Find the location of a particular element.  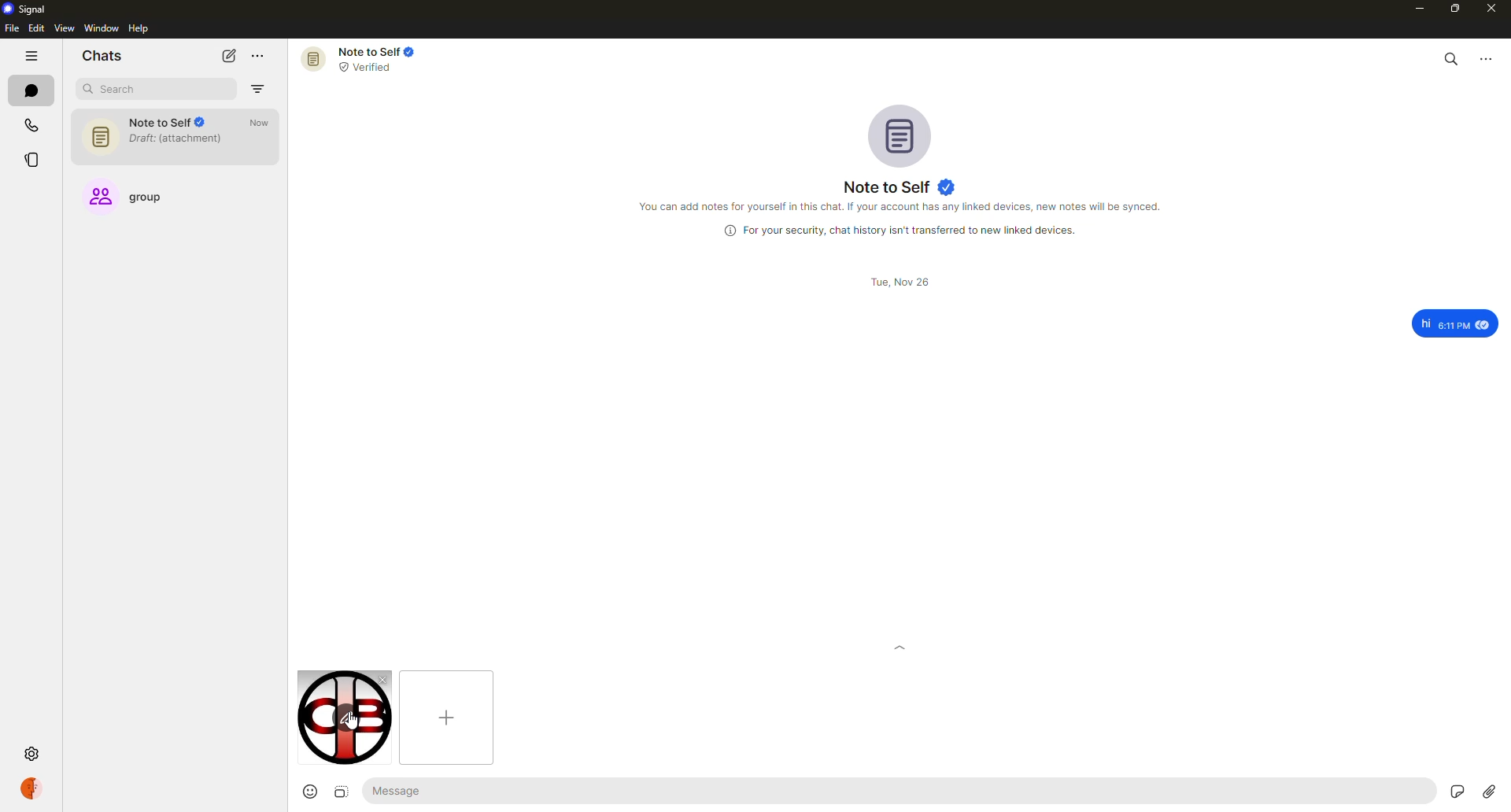

settings is located at coordinates (30, 752).